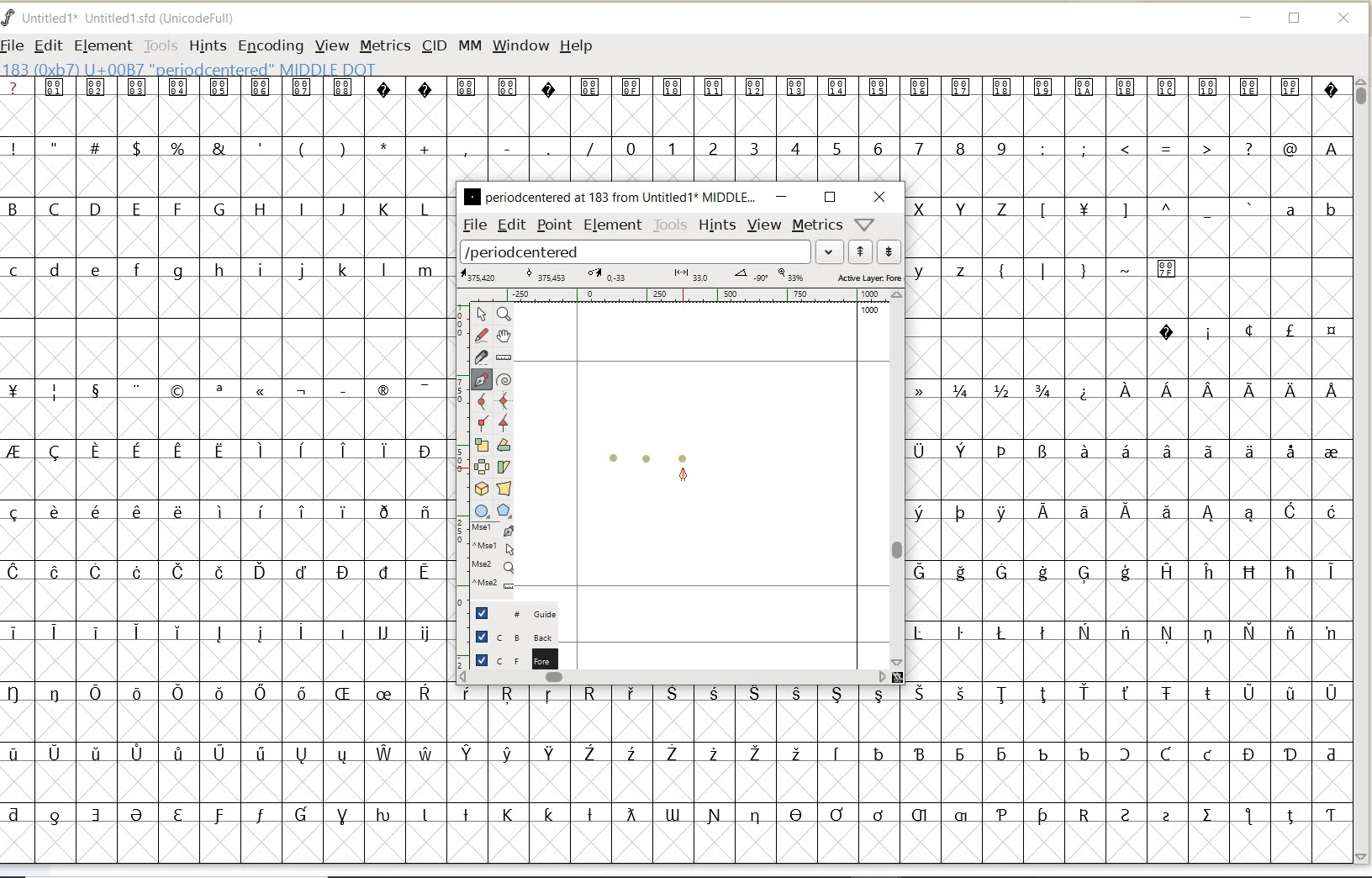  Describe the element at coordinates (504, 399) in the screenshot. I see `add a curve point always either horizontal or vertical` at that location.